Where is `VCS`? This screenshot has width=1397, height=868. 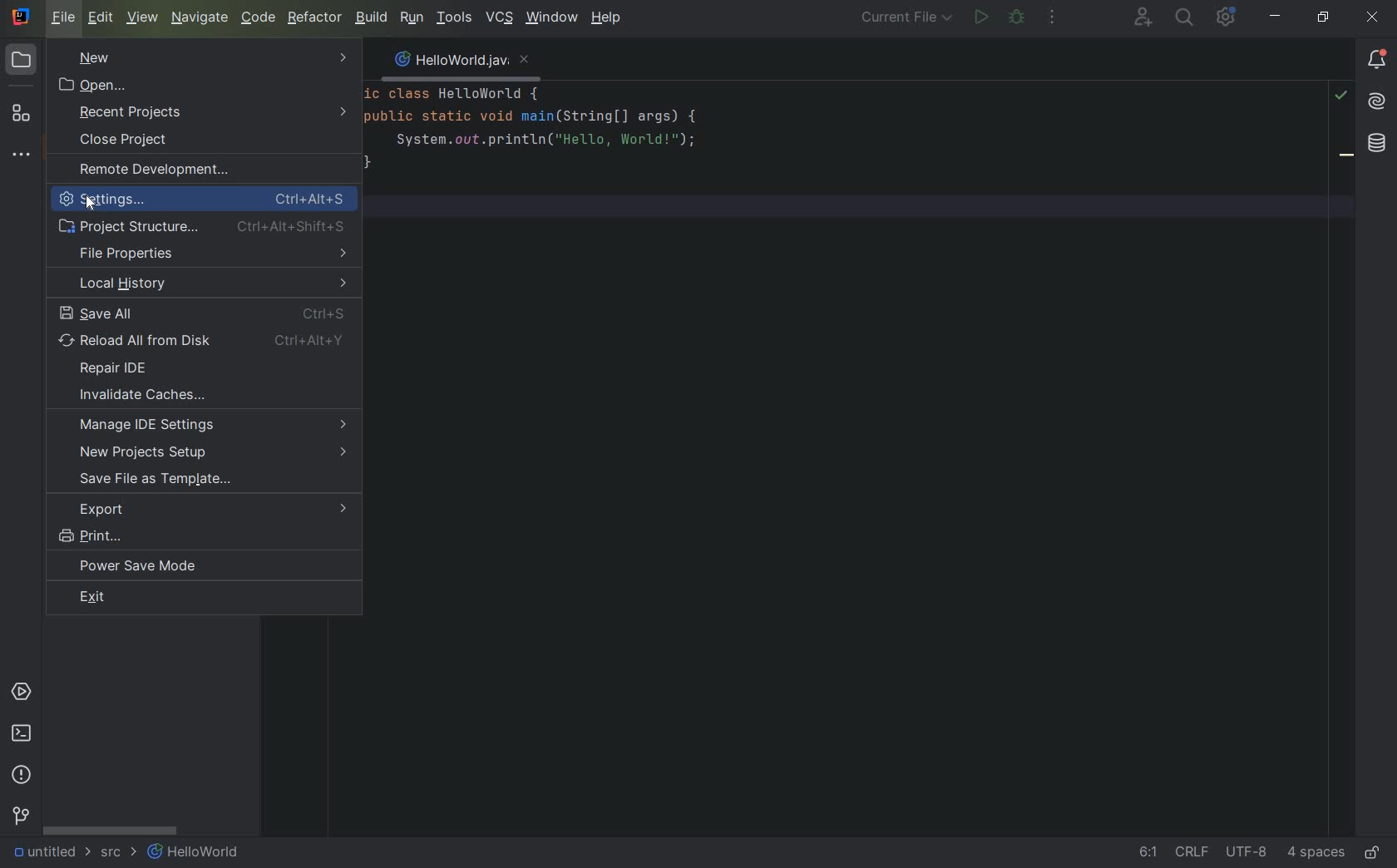 VCS is located at coordinates (498, 17).